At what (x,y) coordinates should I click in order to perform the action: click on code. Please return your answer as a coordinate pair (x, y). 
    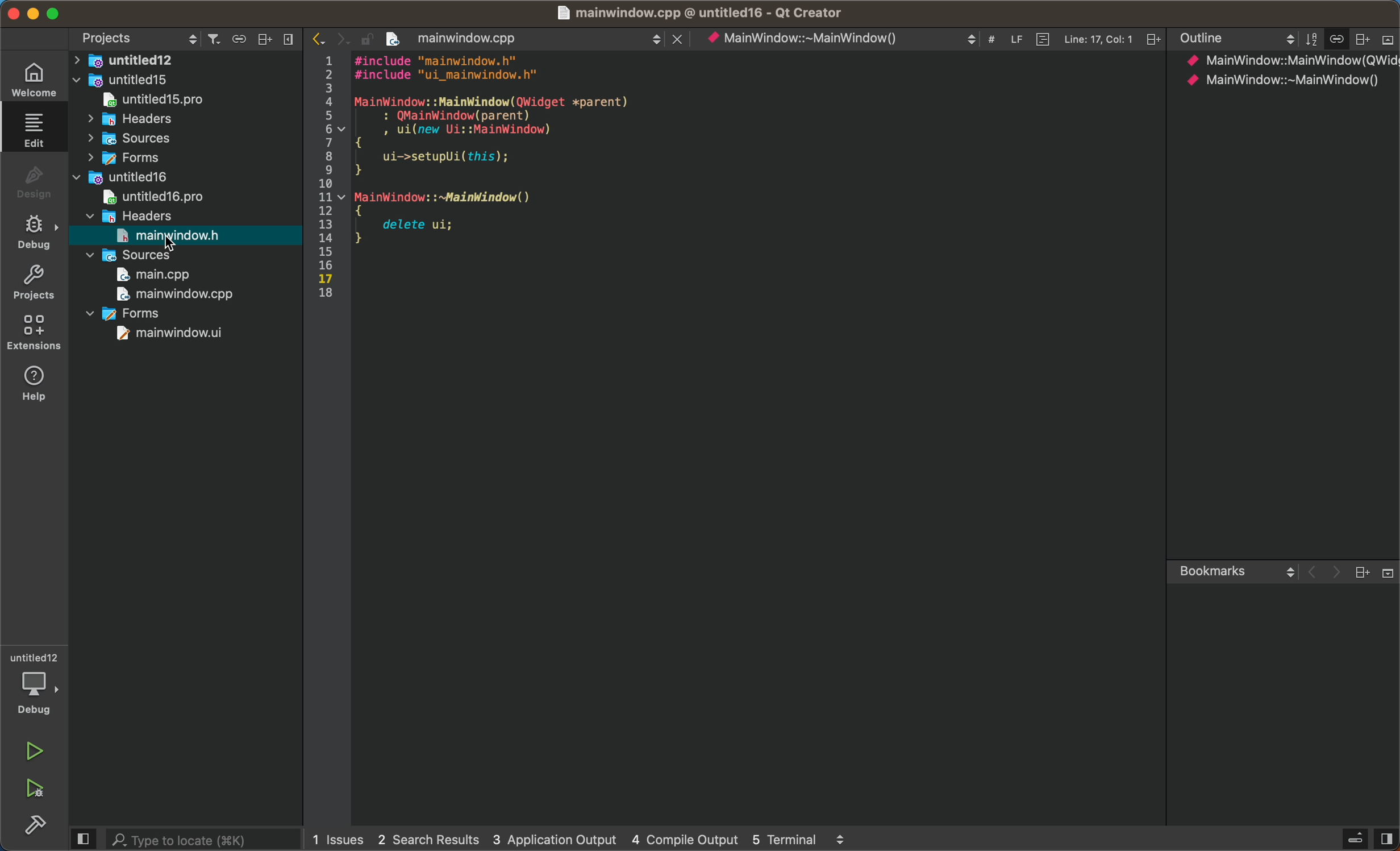
    Looking at the image, I should click on (754, 193).